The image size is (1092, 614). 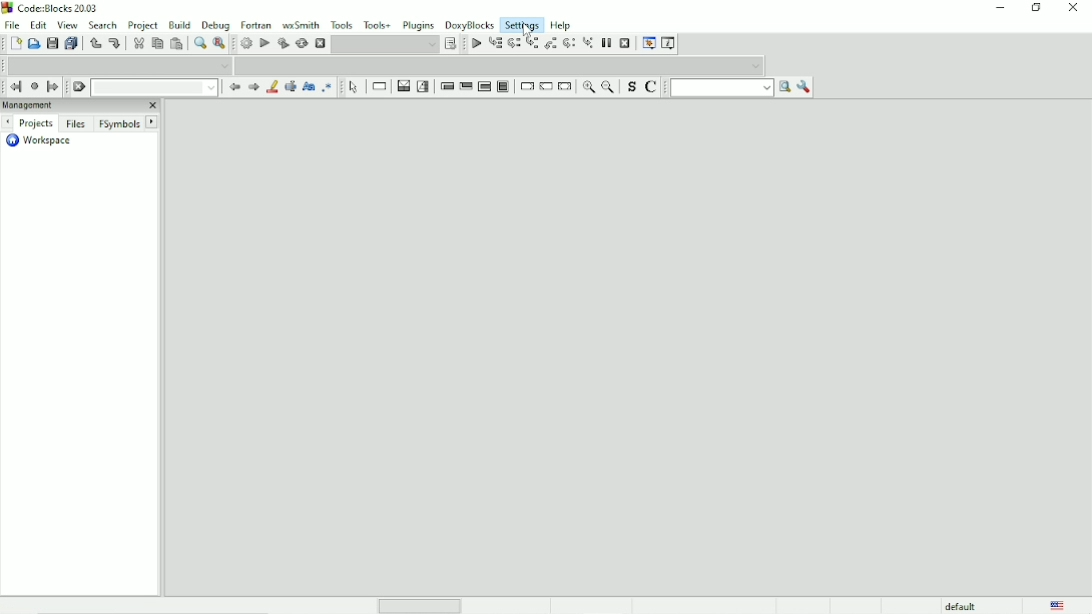 What do you see at coordinates (466, 87) in the screenshot?
I see `Exit condition loop` at bounding box center [466, 87].